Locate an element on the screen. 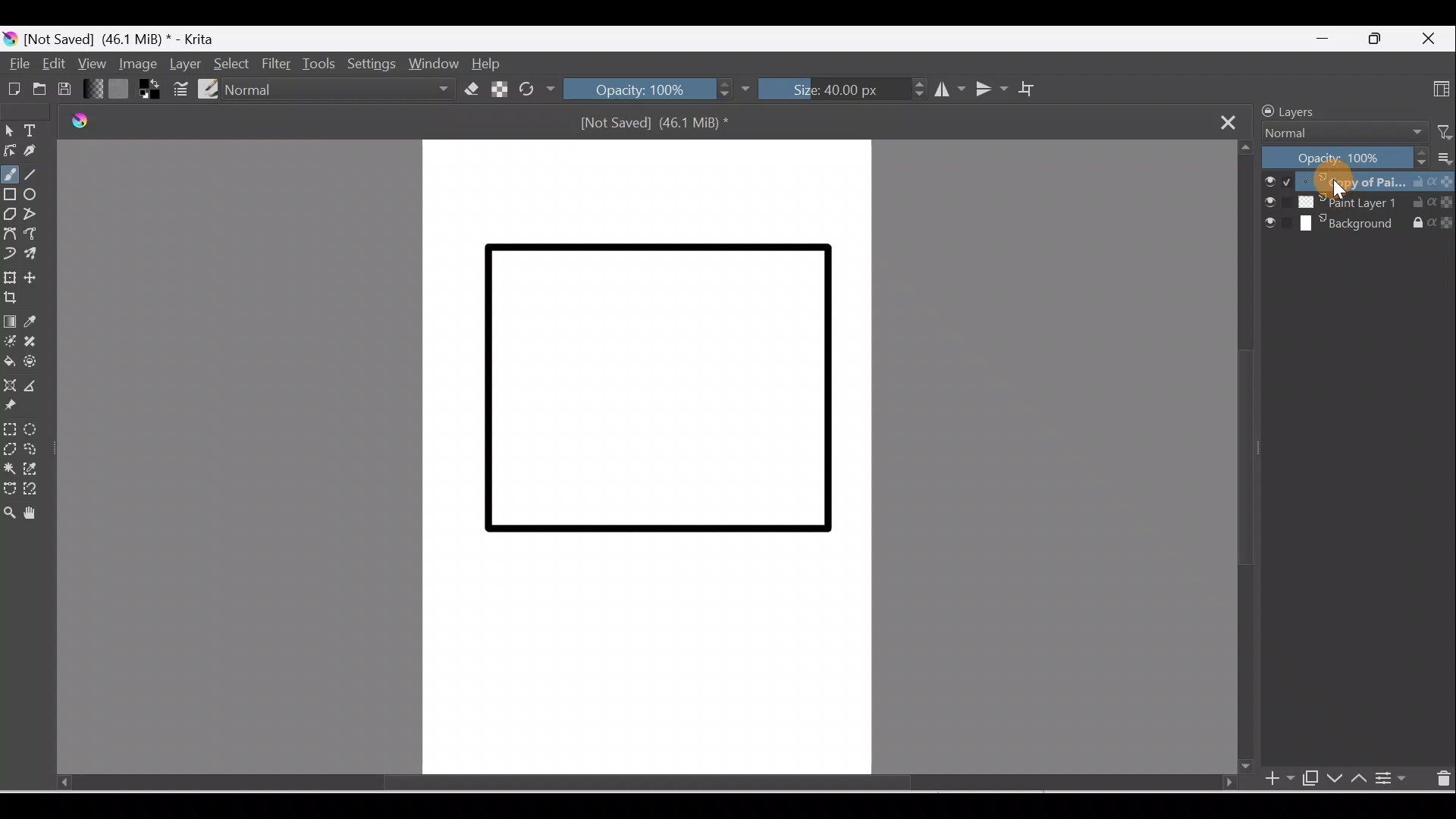  Size:40:00px is located at coordinates (841, 91).